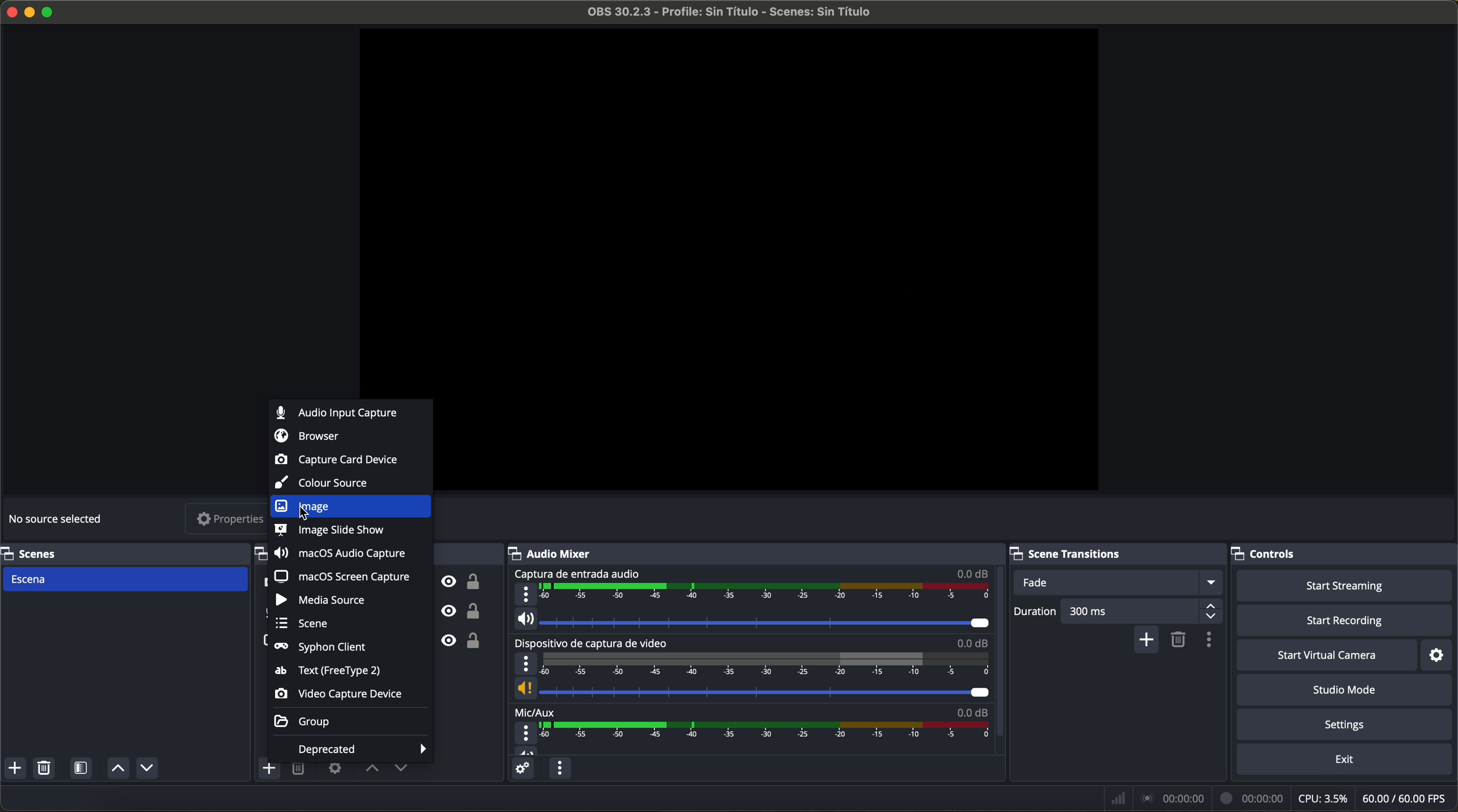 This screenshot has height=812, width=1458. I want to click on no source selected, so click(59, 518).